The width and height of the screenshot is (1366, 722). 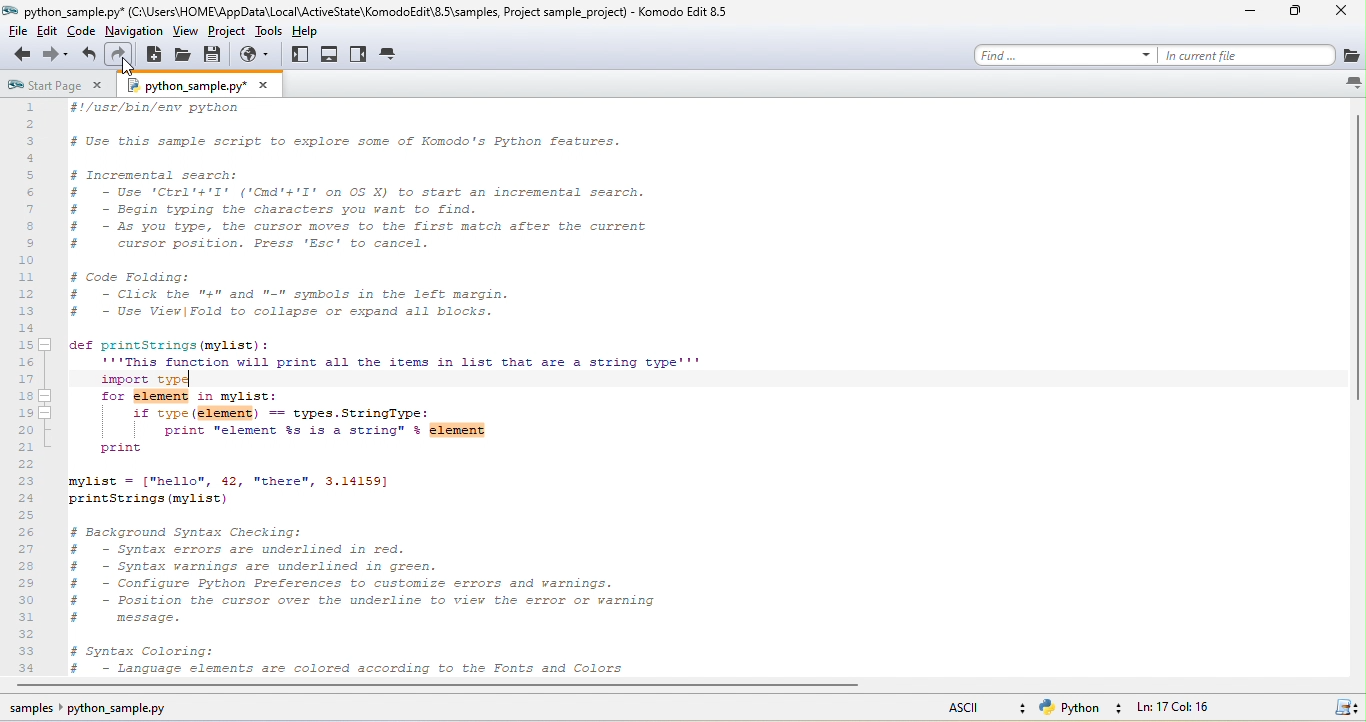 I want to click on code, so click(x=78, y=31).